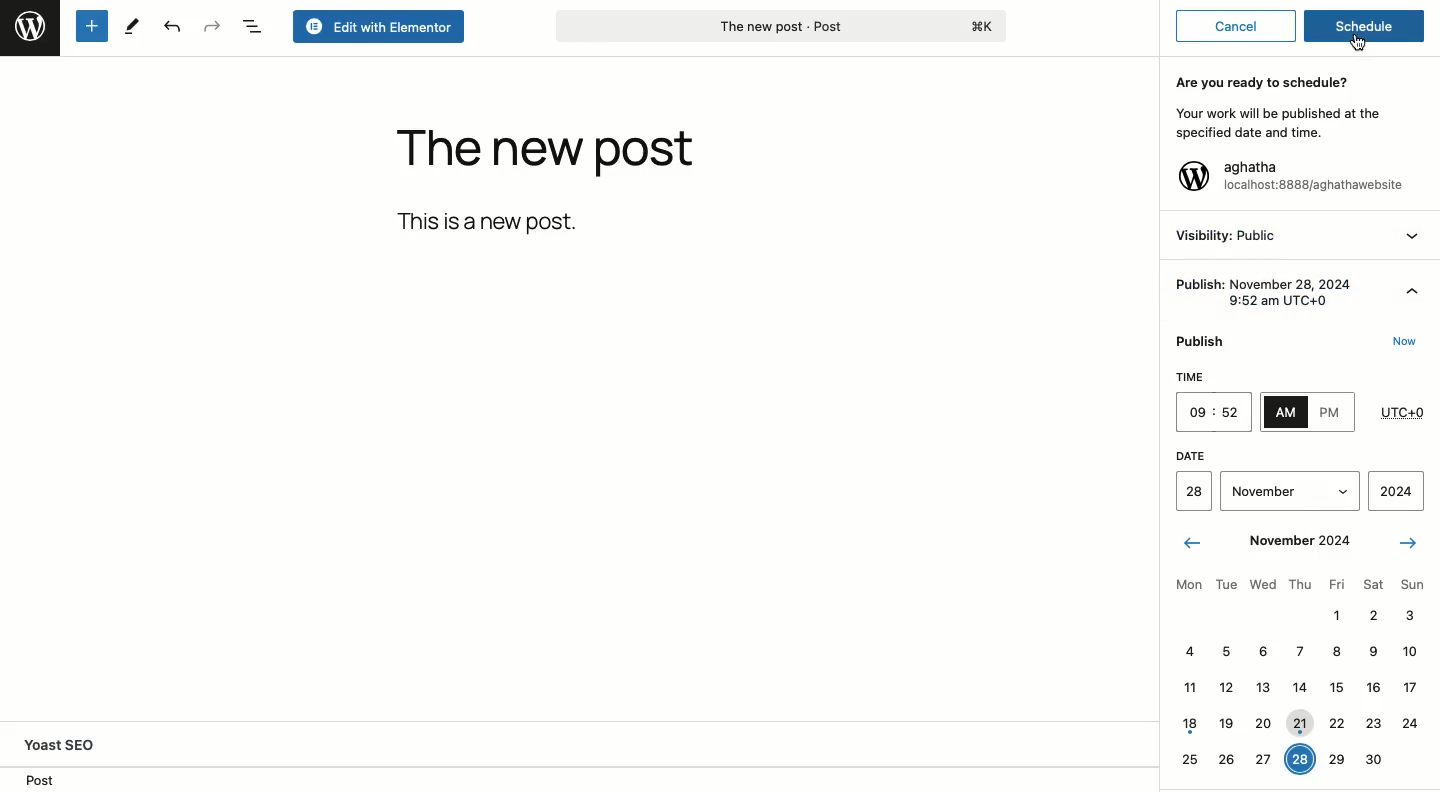 This screenshot has width=1440, height=792. Describe the element at coordinates (1226, 687) in the screenshot. I see `12` at that location.